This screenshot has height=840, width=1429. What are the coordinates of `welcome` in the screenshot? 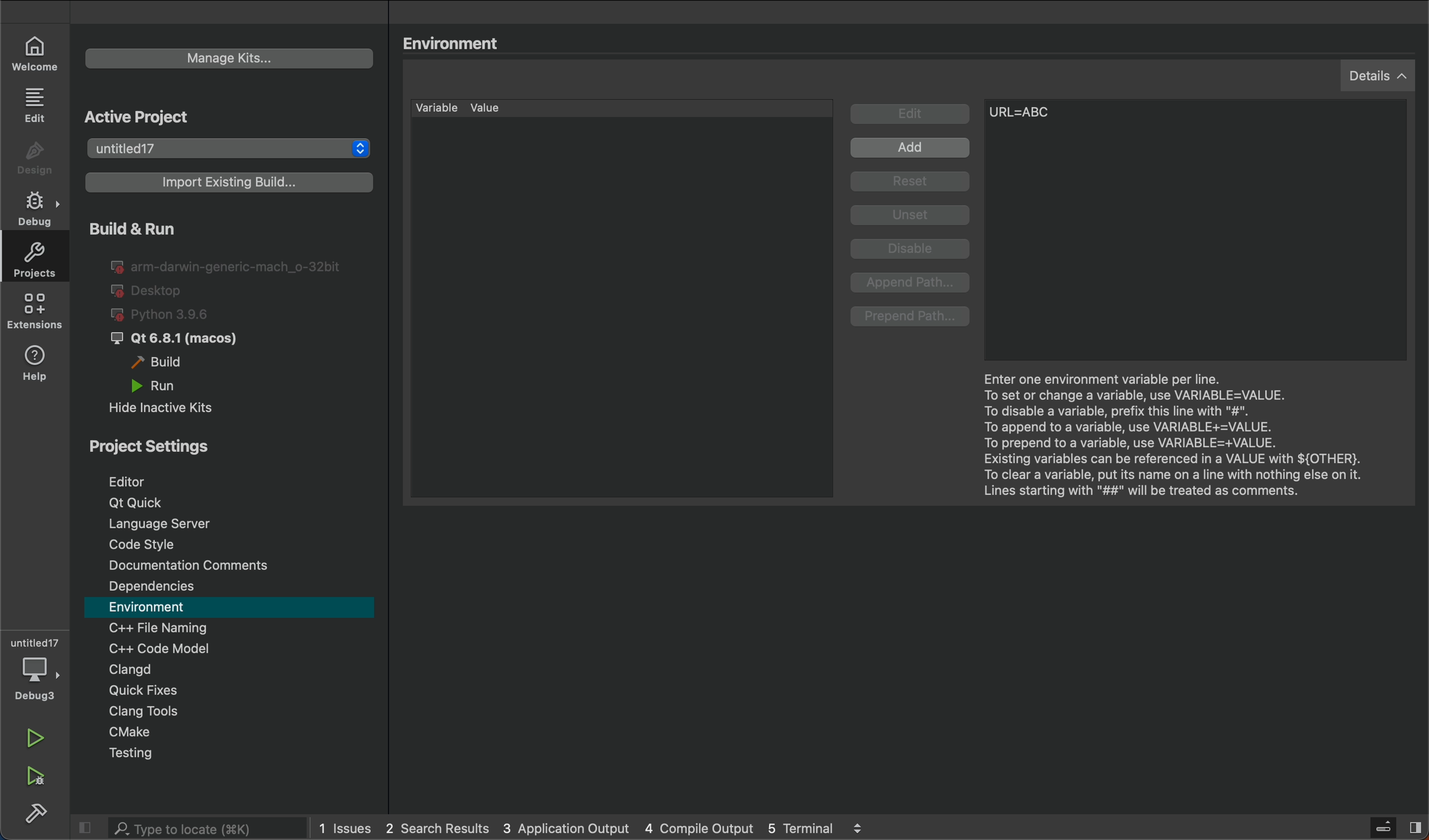 It's located at (36, 52).